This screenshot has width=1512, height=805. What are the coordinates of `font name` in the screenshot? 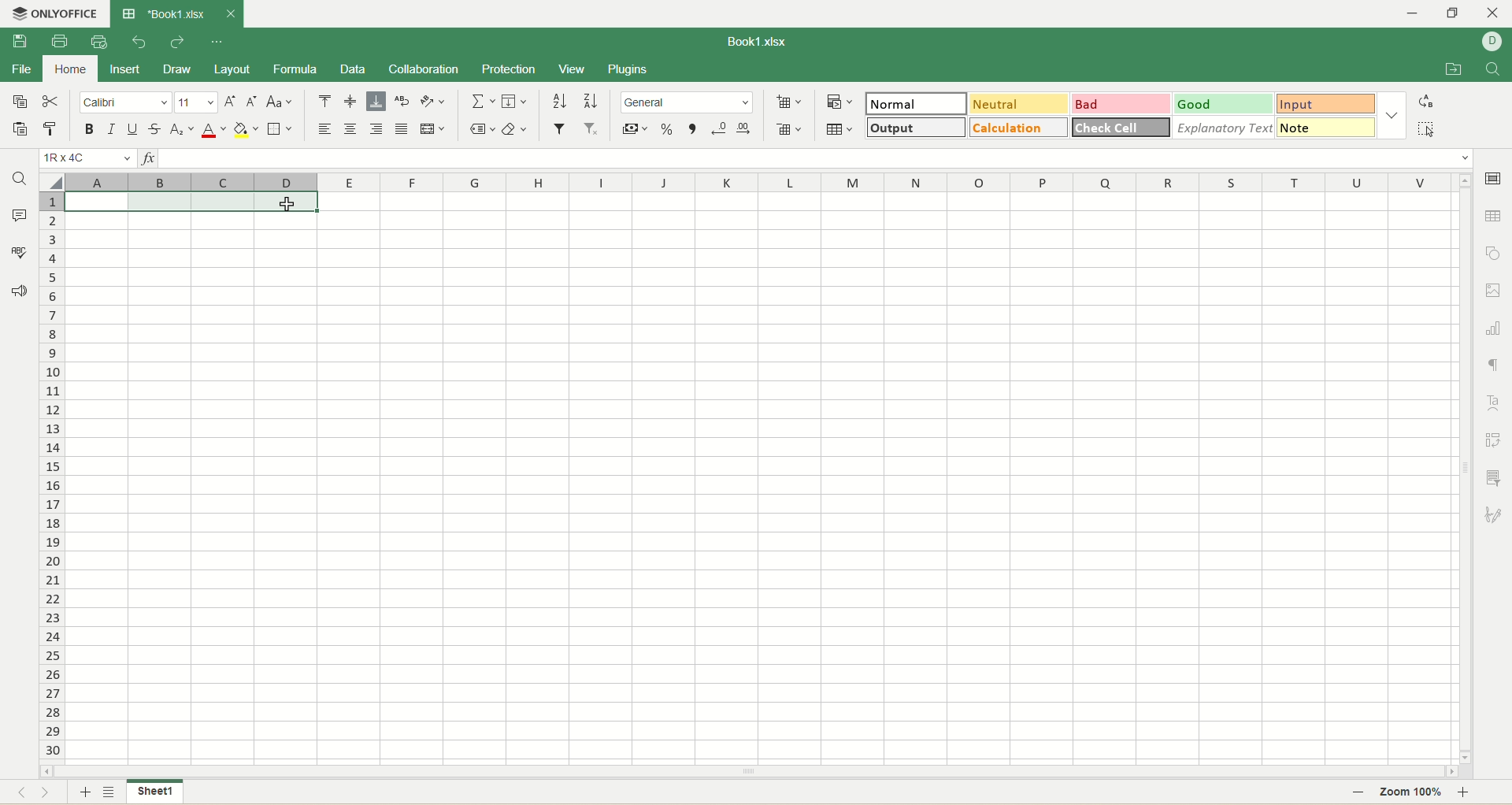 It's located at (124, 102).